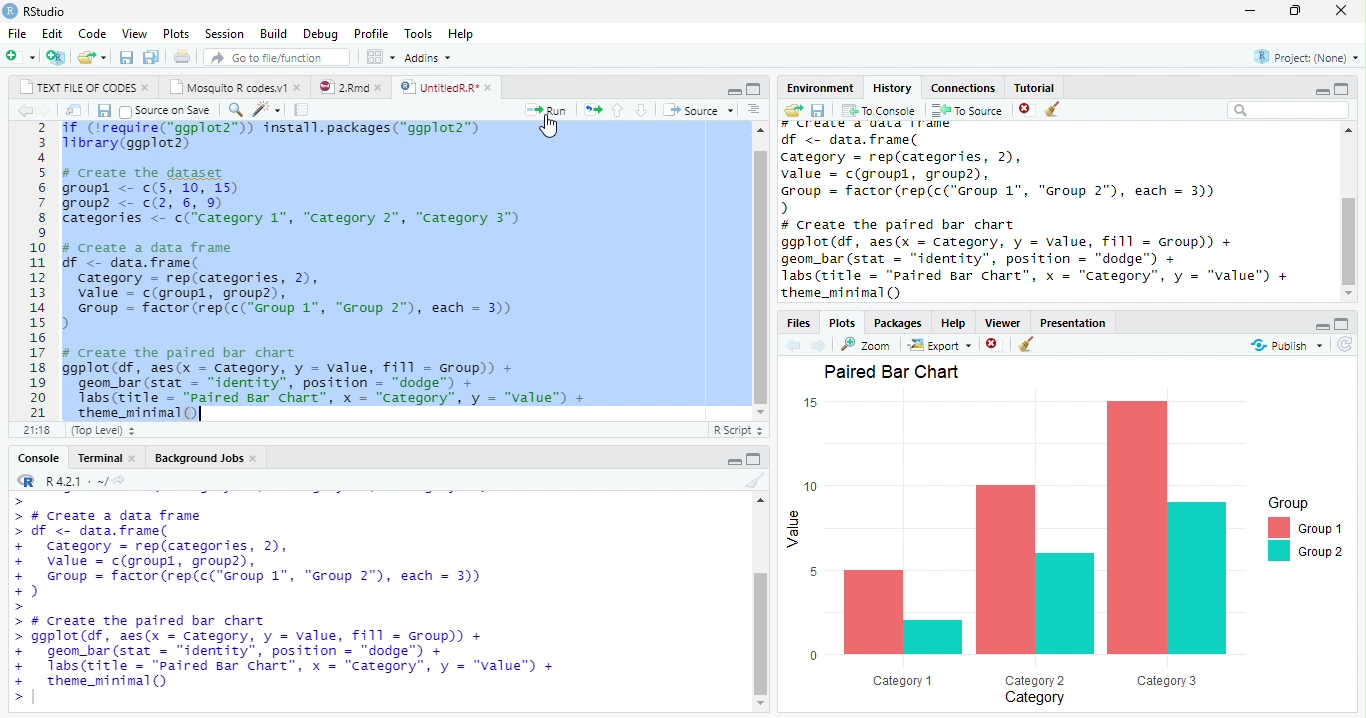 This screenshot has width=1366, height=718. I want to click on scroll down, so click(762, 413).